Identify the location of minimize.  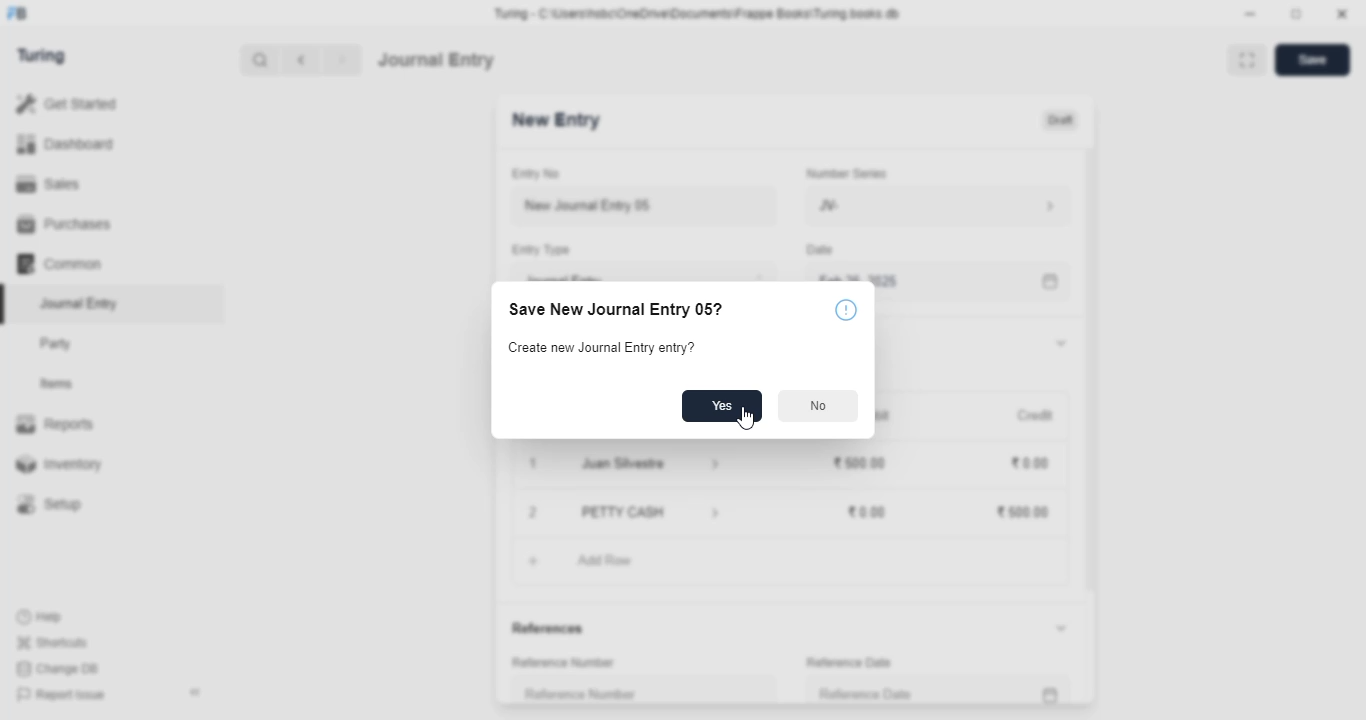
(1251, 14).